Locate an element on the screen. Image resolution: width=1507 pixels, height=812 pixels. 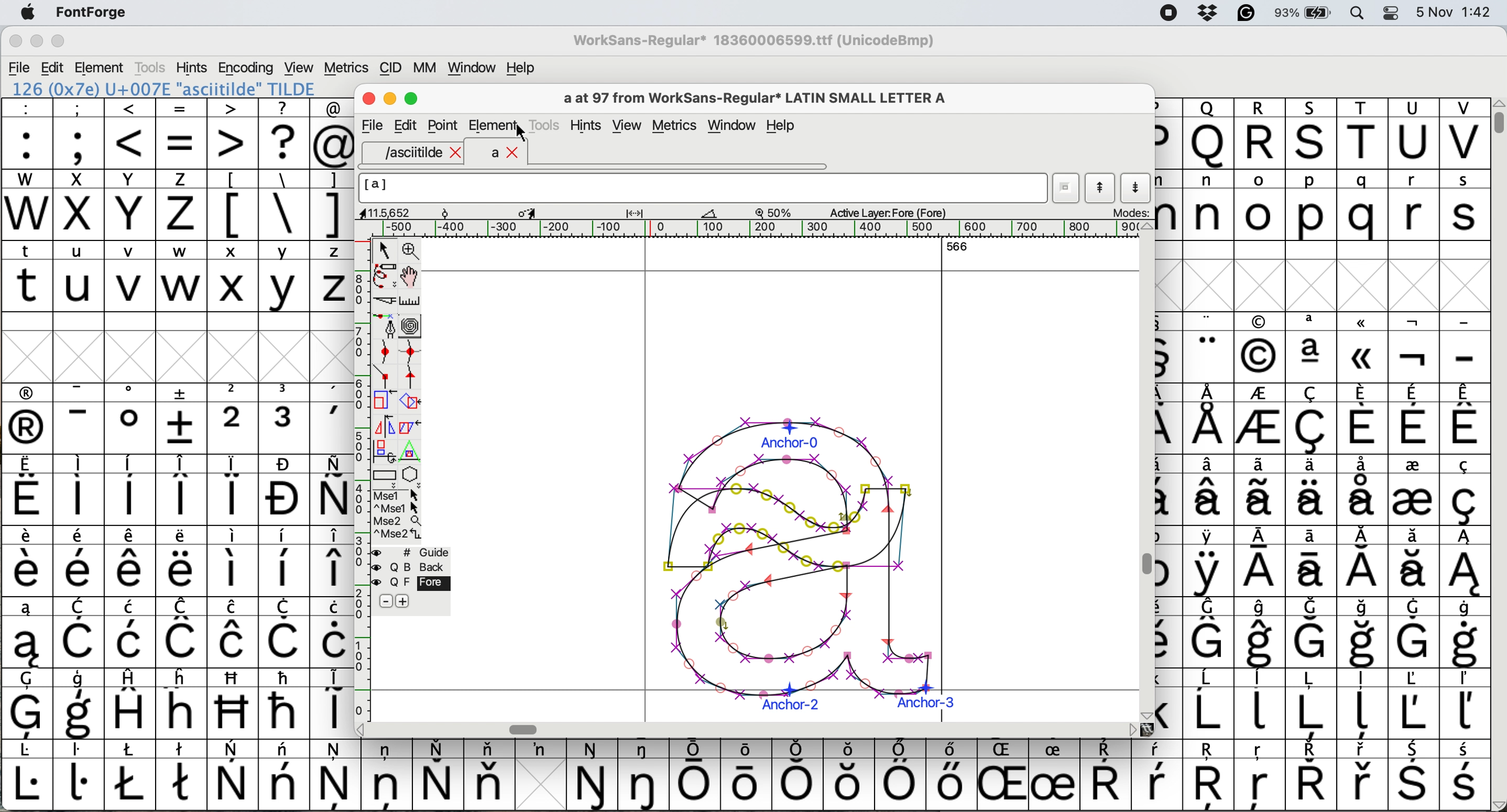
 is located at coordinates (183, 703).